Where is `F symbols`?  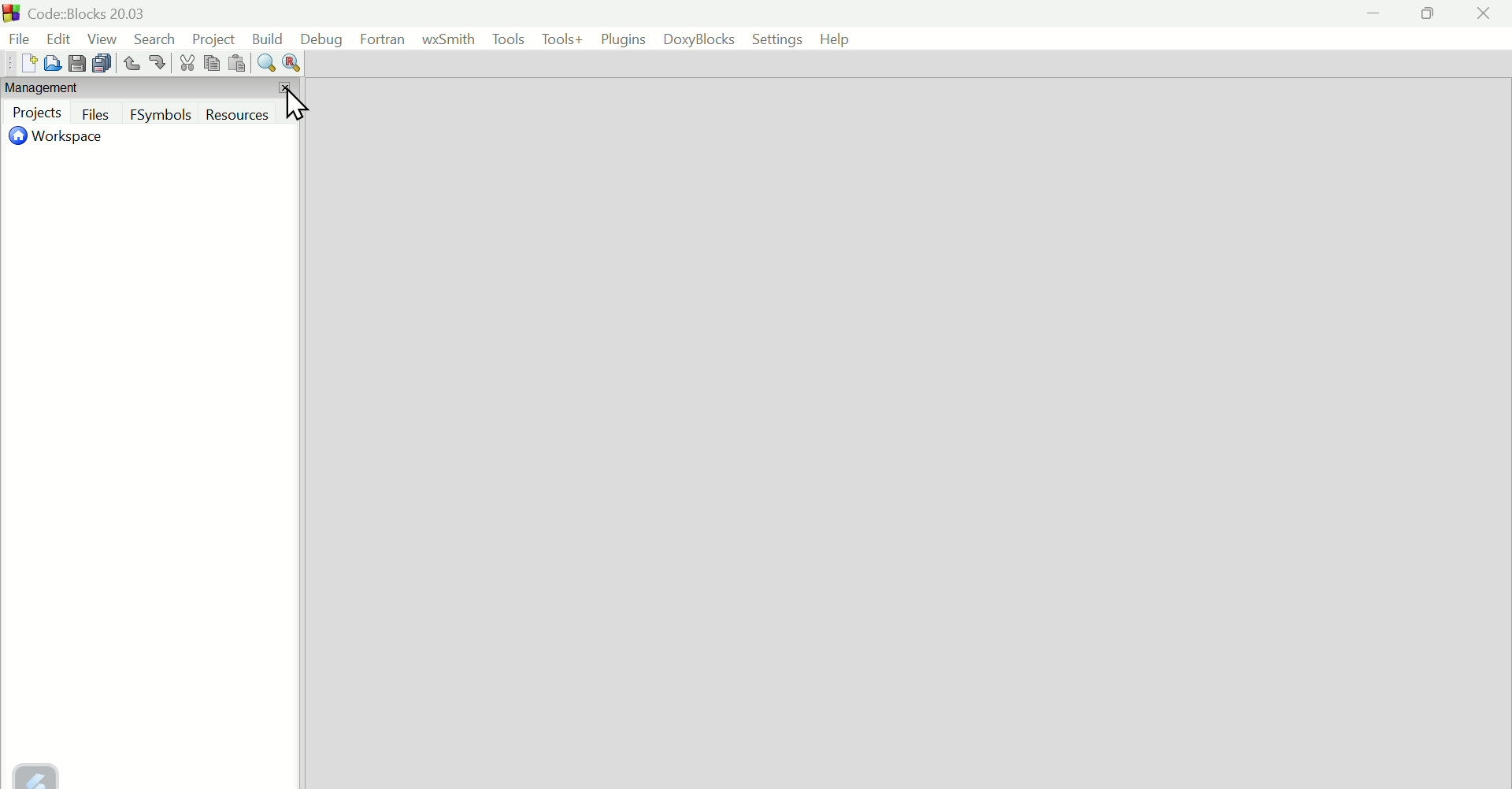
F symbols is located at coordinates (161, 114).